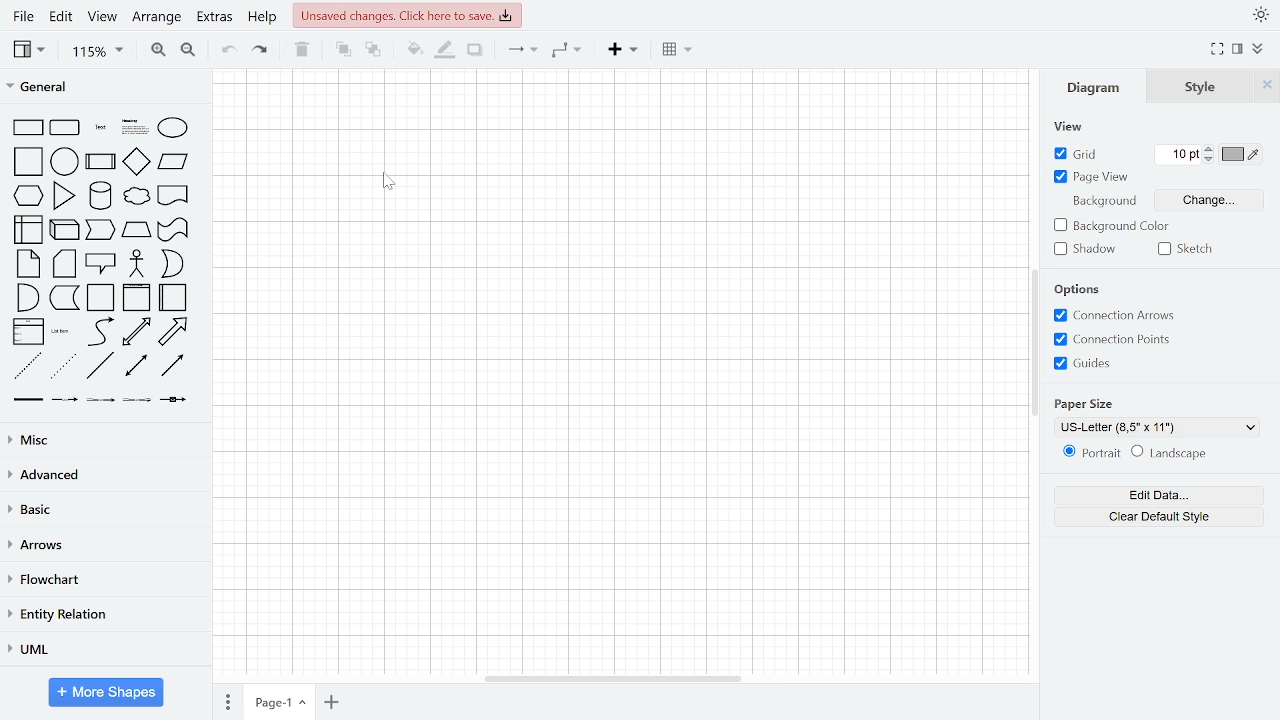  I want to click on triangle, so click(63, 195).